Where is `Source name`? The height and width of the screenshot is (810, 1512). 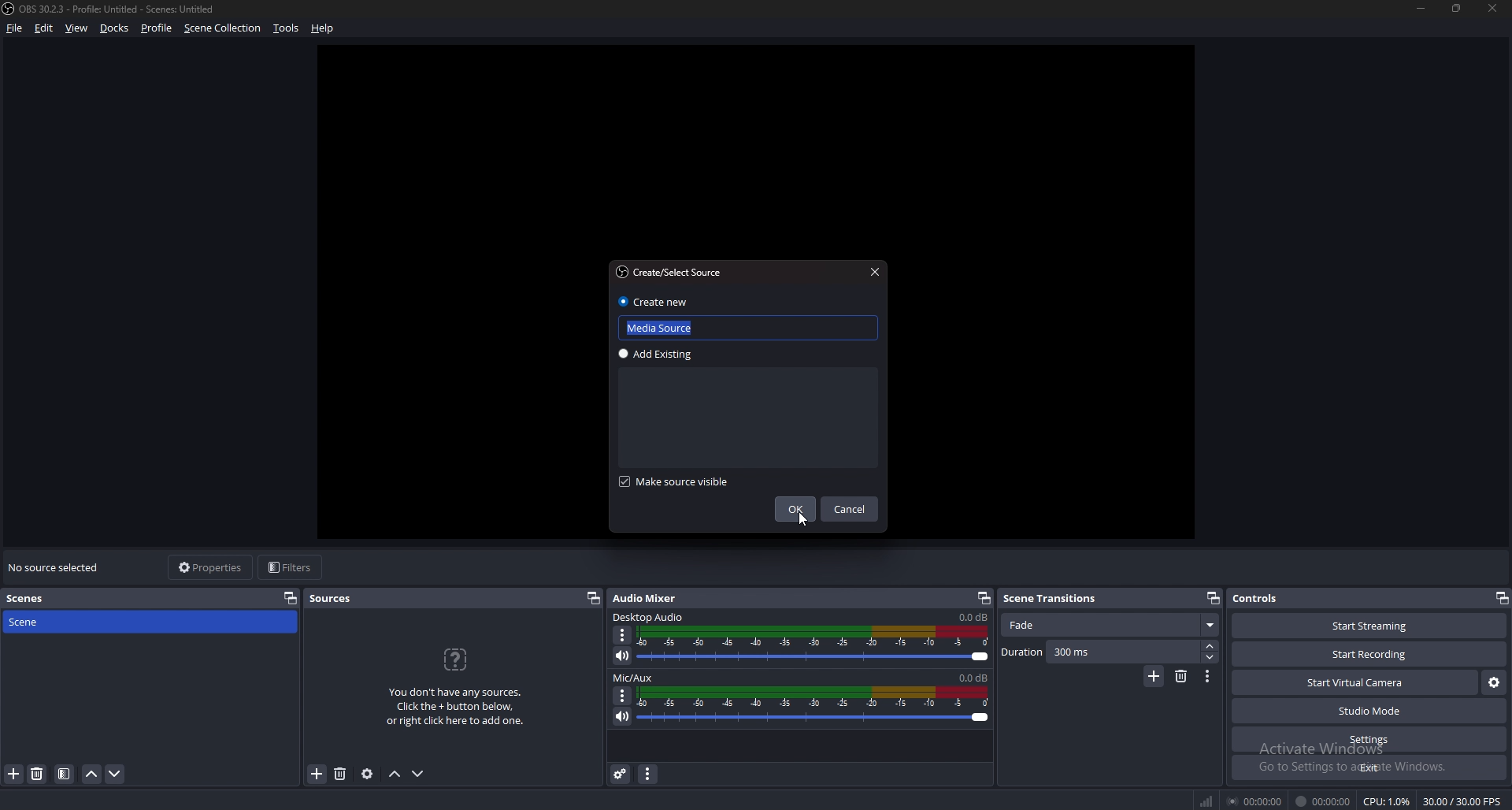 Source name is located at coordinates (748, 325).